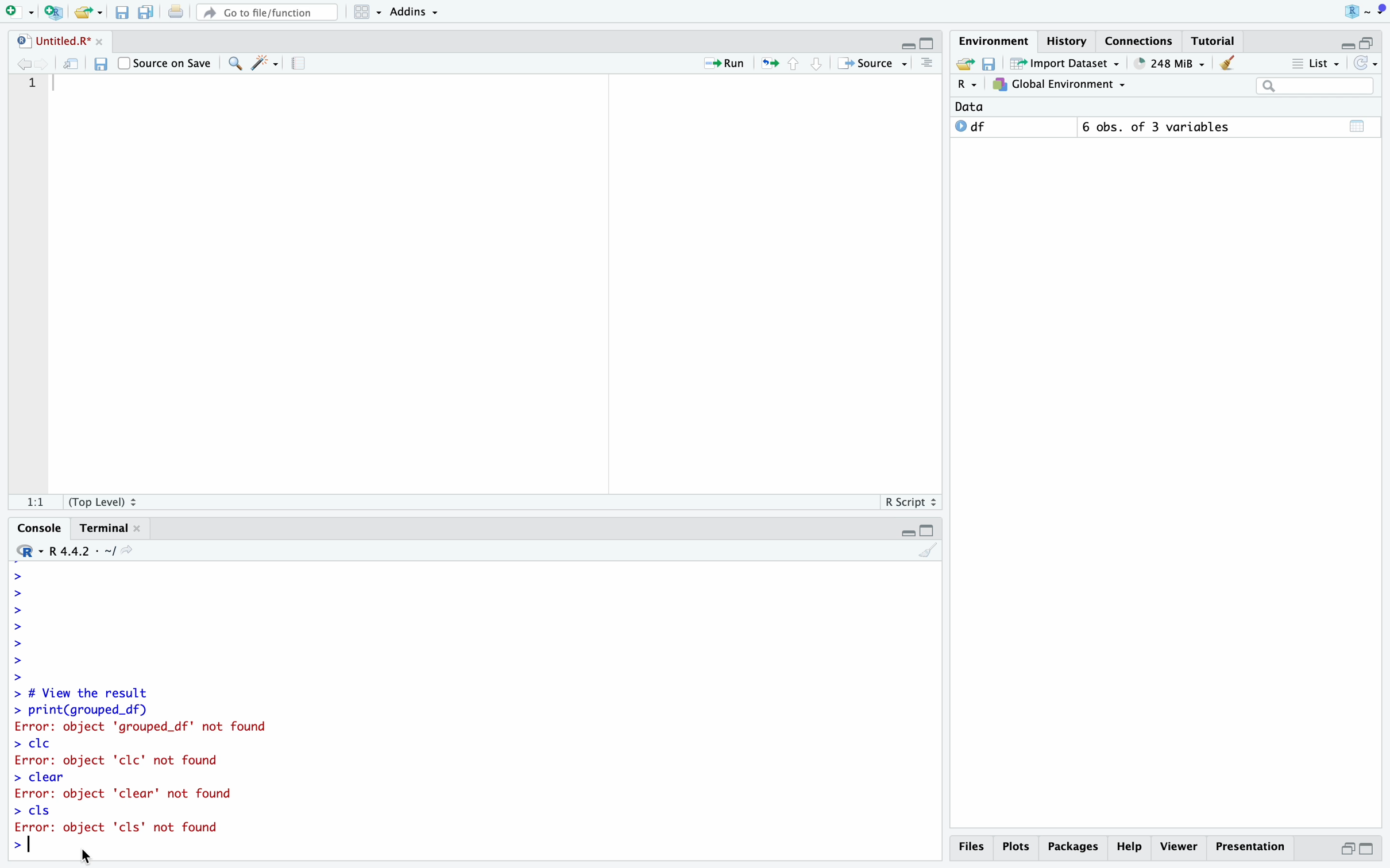 Image resolution: width=1390 pixels, height=868 pixels. I want to click on 1:1, so click(34, 502).